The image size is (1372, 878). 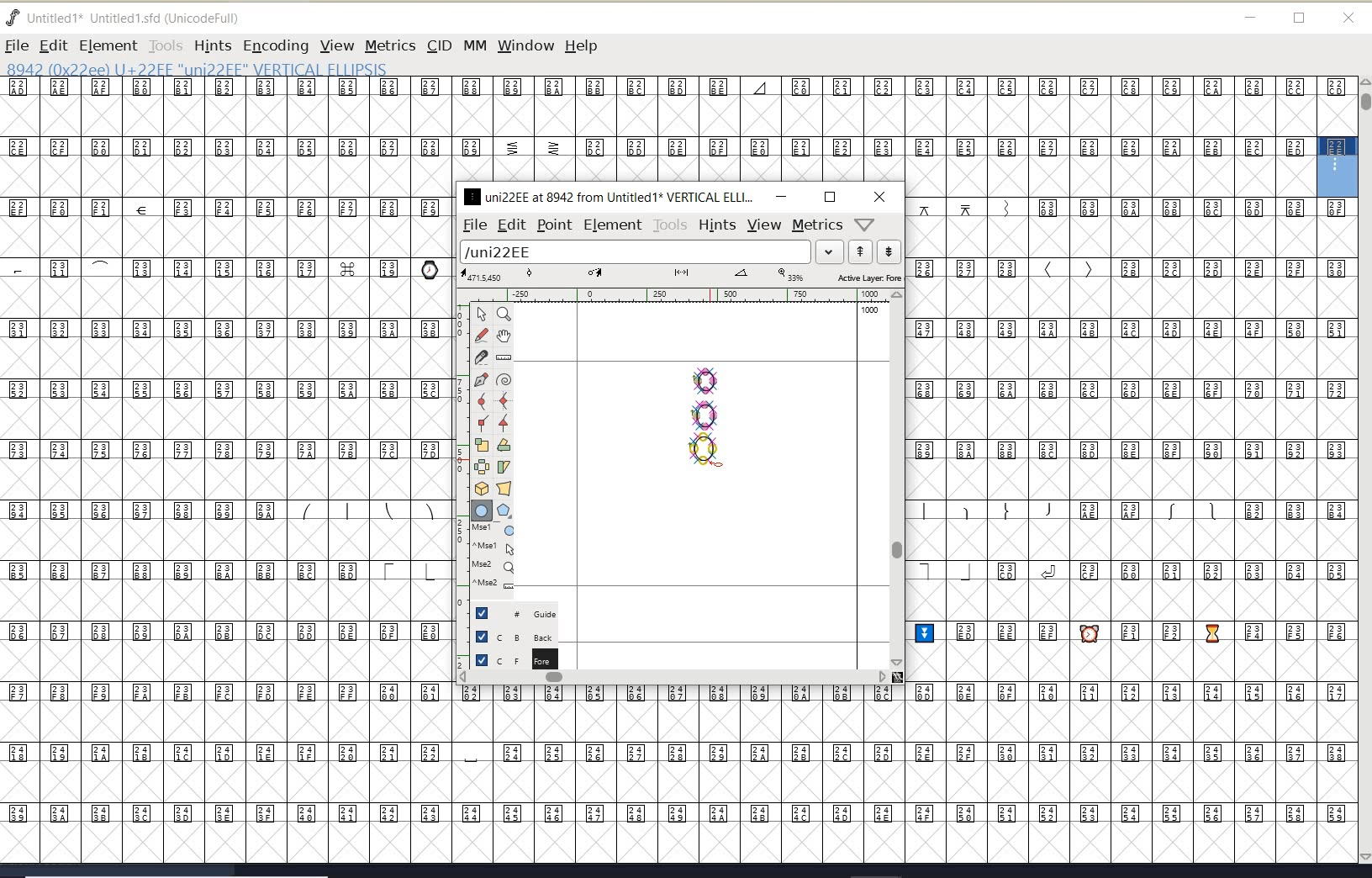 What do you see at coordinates (510, 224) in the screenshot?
I see `edit` at bounding box center [510, 224].